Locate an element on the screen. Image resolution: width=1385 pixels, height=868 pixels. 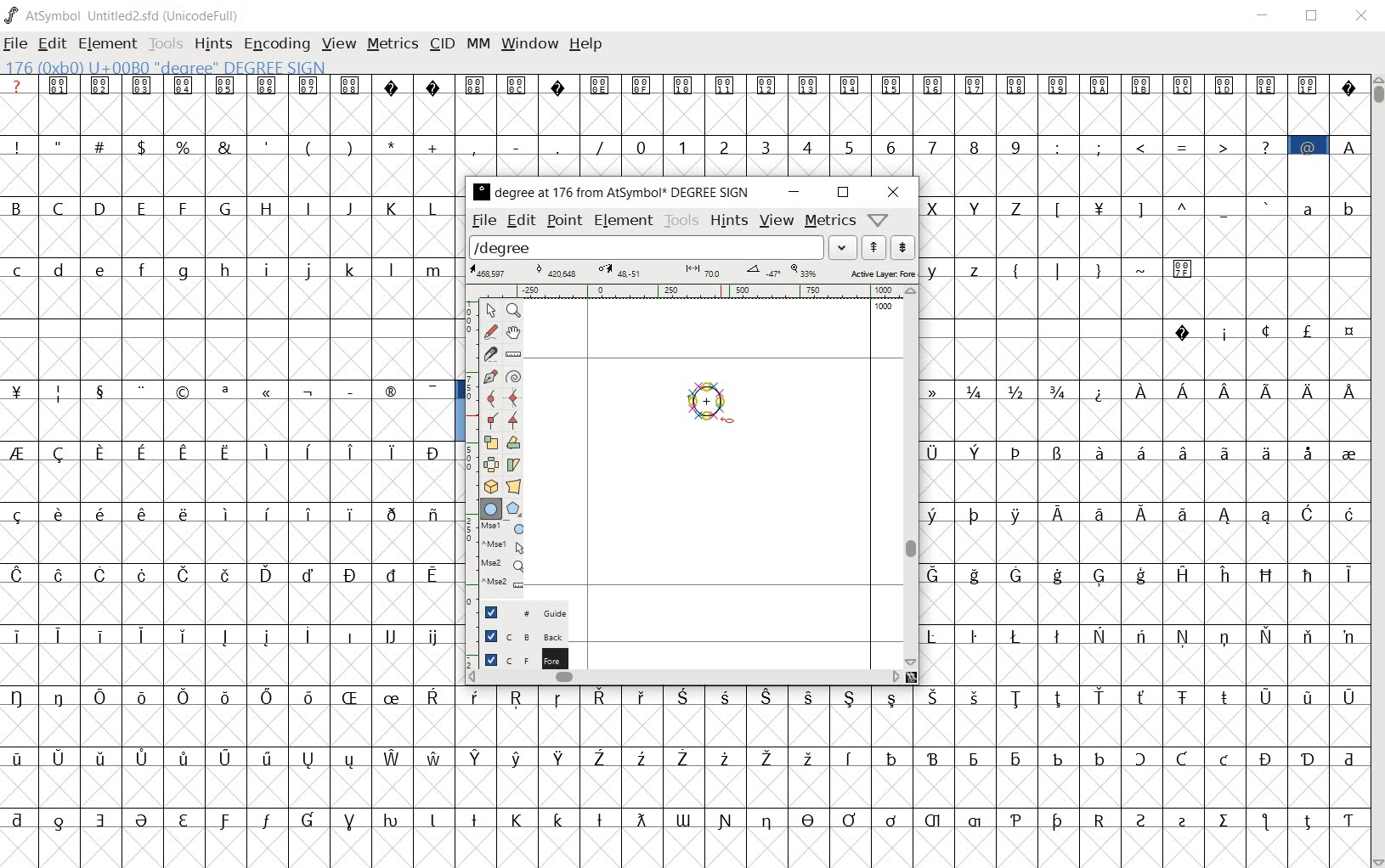
empty glyph slots is located at coordinates (1144, 358).